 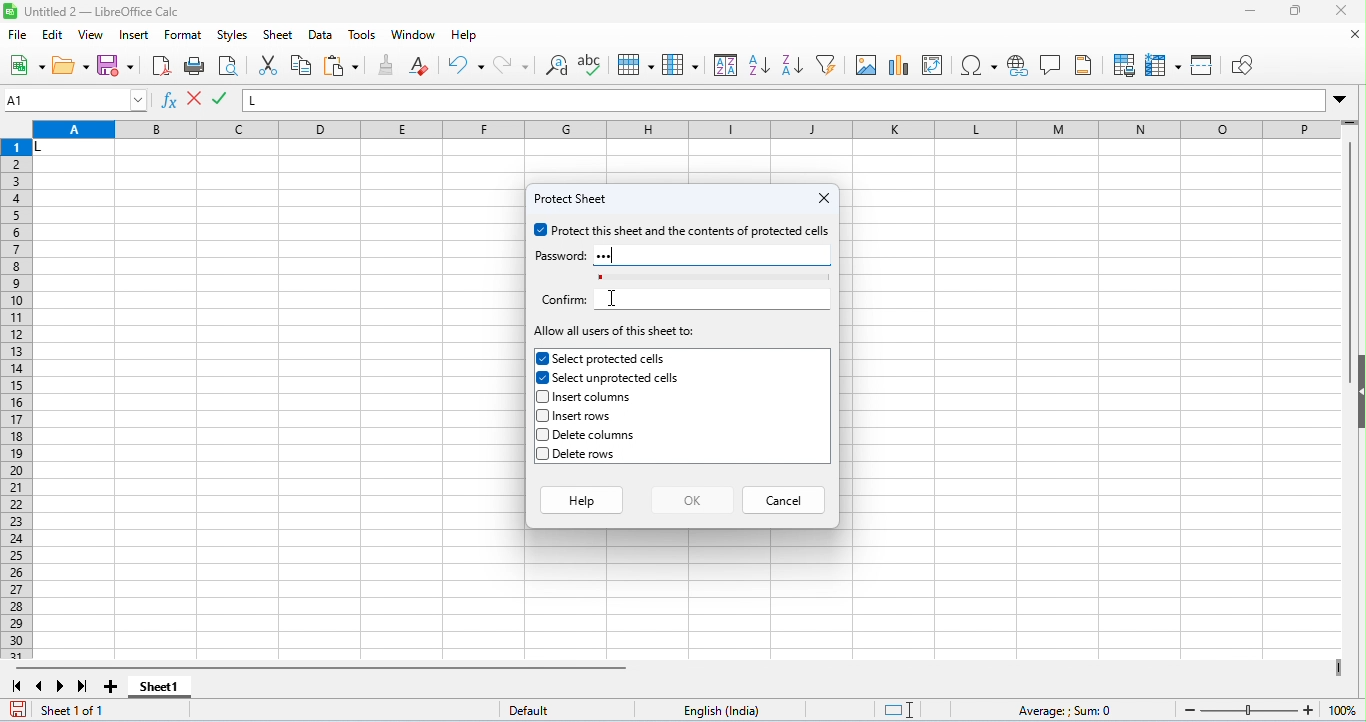 I want to click on cut, so click(x=271, y=65).